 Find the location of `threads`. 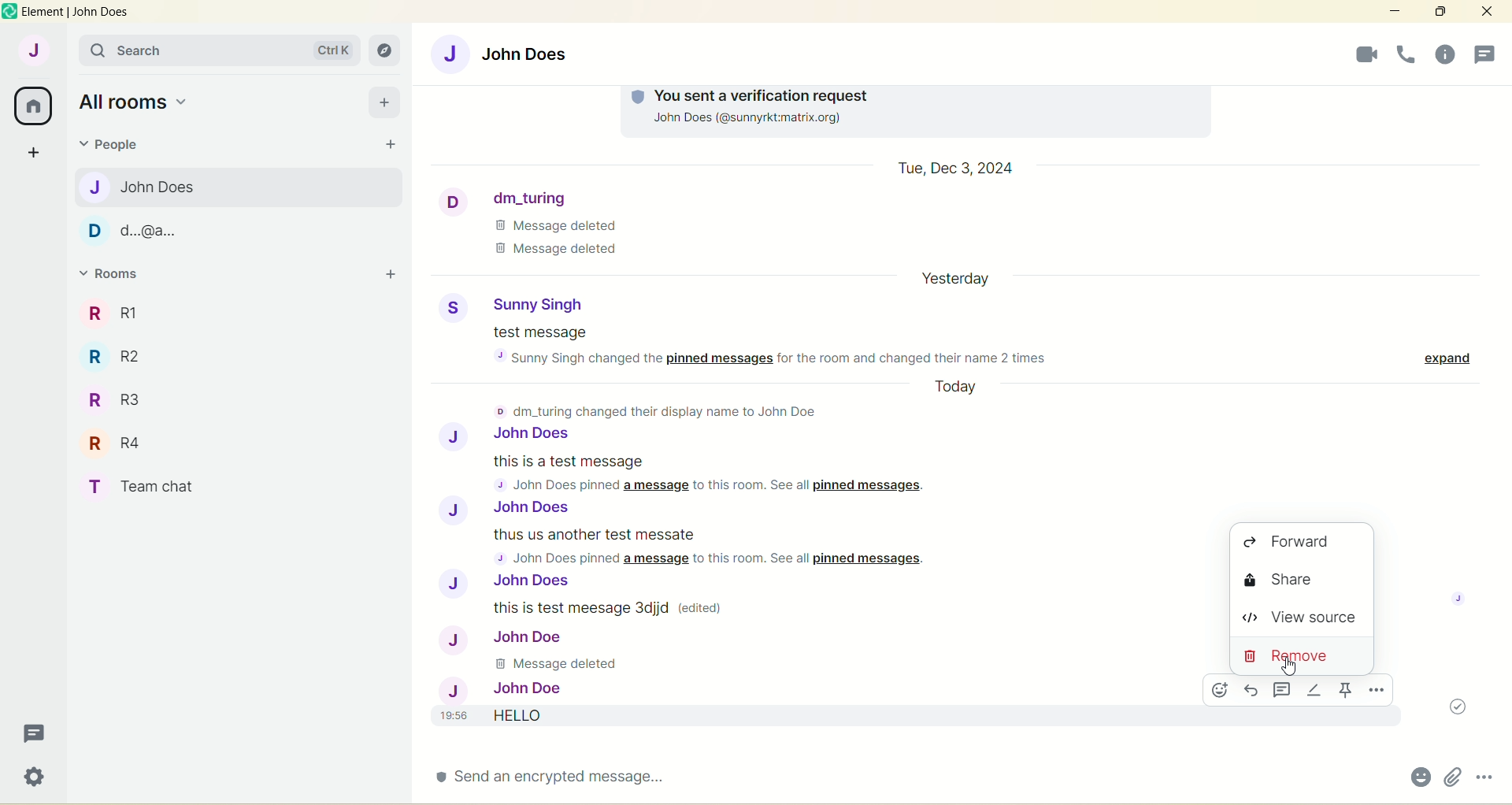

threads is located at coordinates (1443, 54).